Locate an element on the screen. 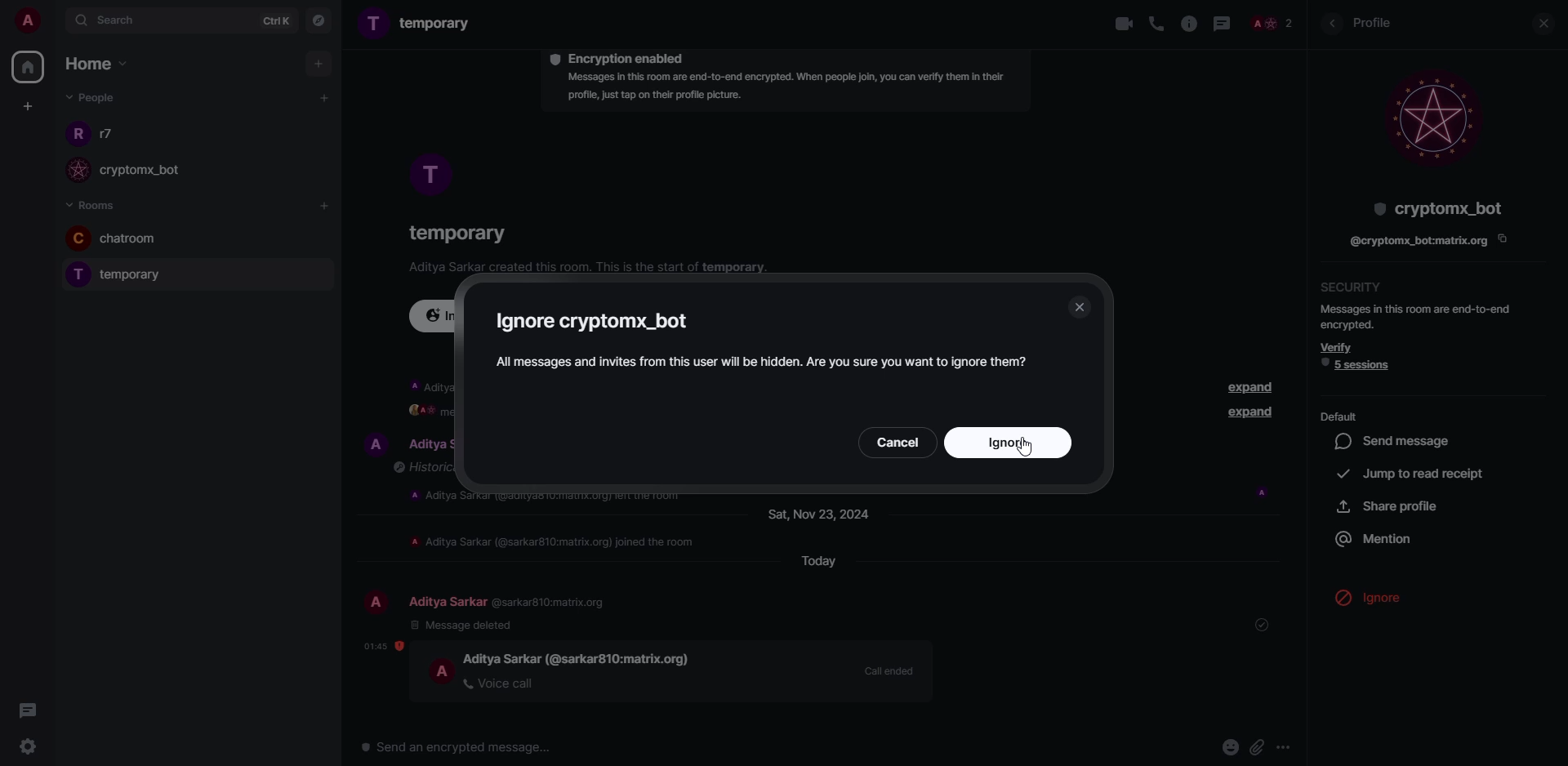  info is located at coordinates (1189, 24).